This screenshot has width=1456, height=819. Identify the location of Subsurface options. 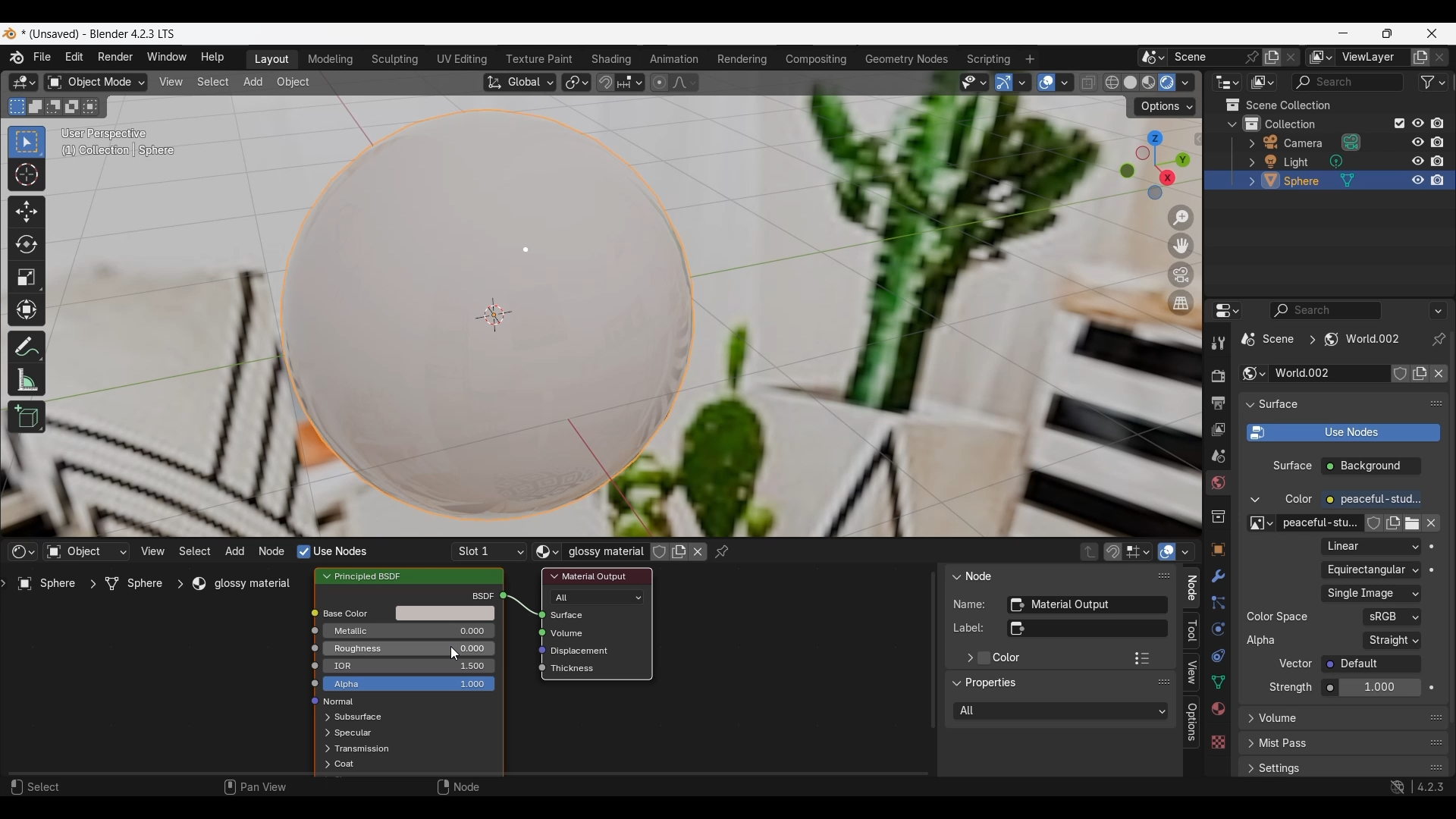
(358, 717).